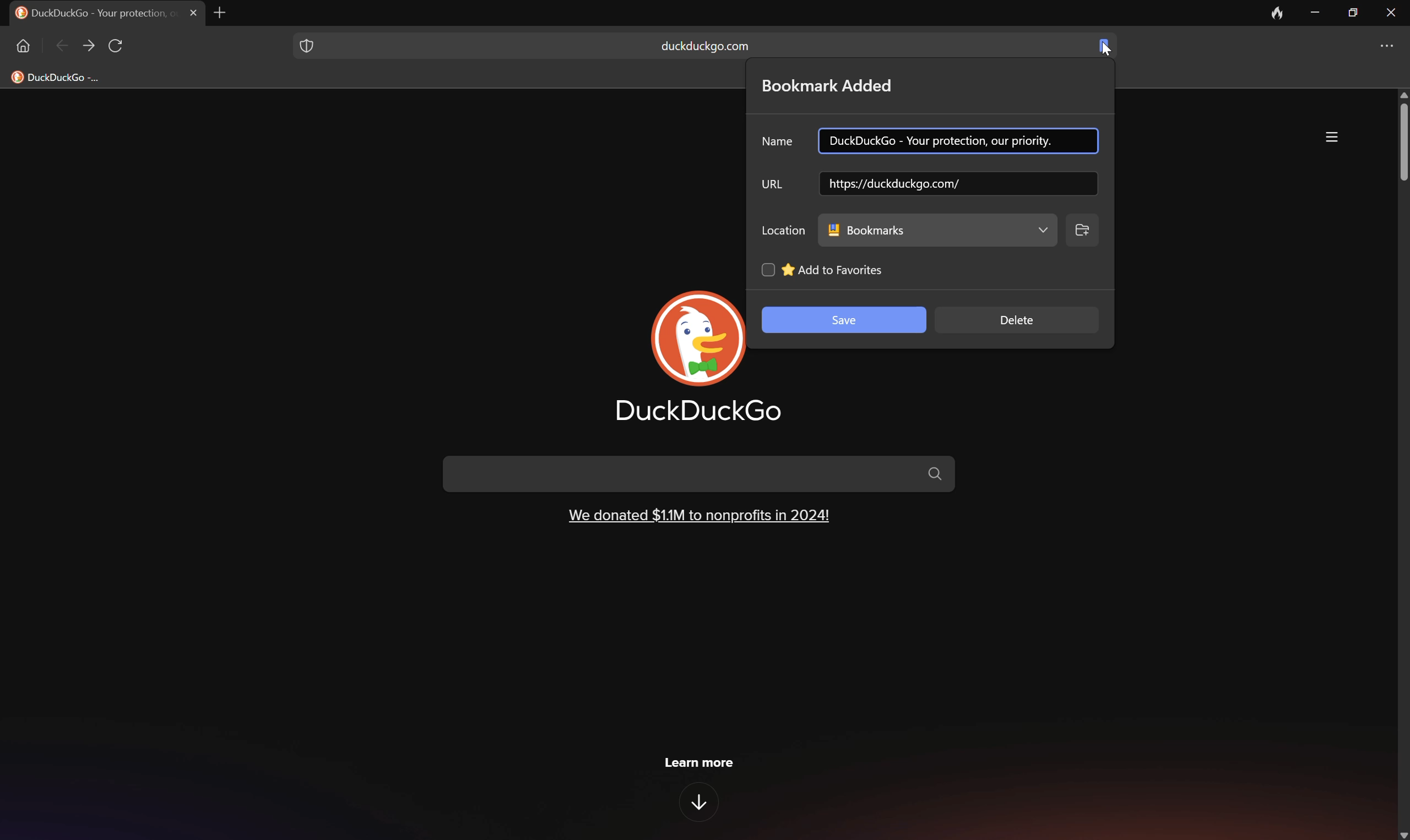  I want to click on Scroll Down, so click(1401, 833).